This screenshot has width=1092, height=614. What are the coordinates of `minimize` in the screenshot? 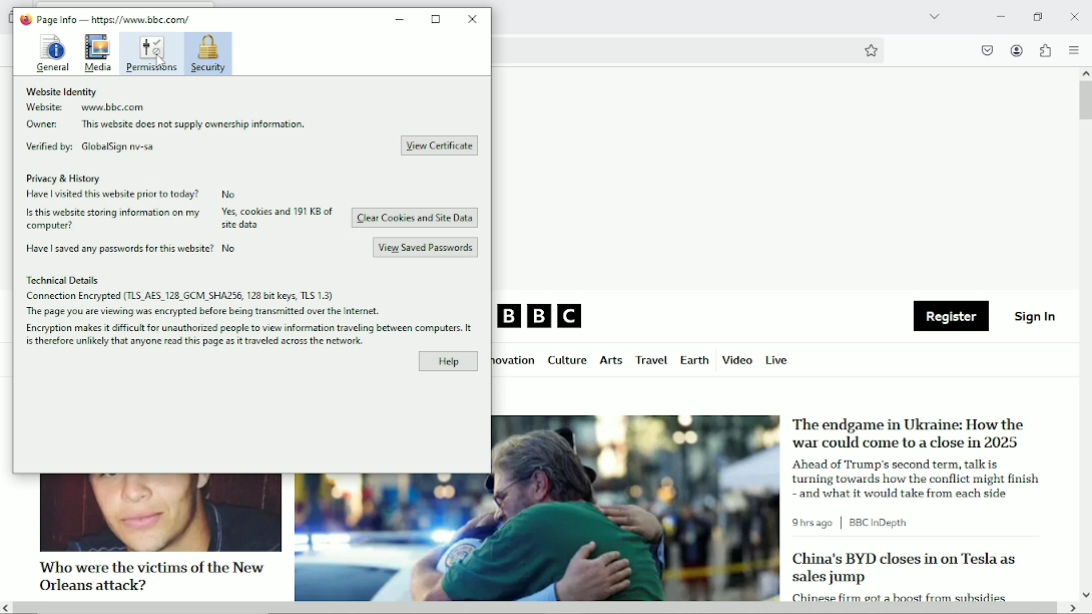 It's located at (400, 20).